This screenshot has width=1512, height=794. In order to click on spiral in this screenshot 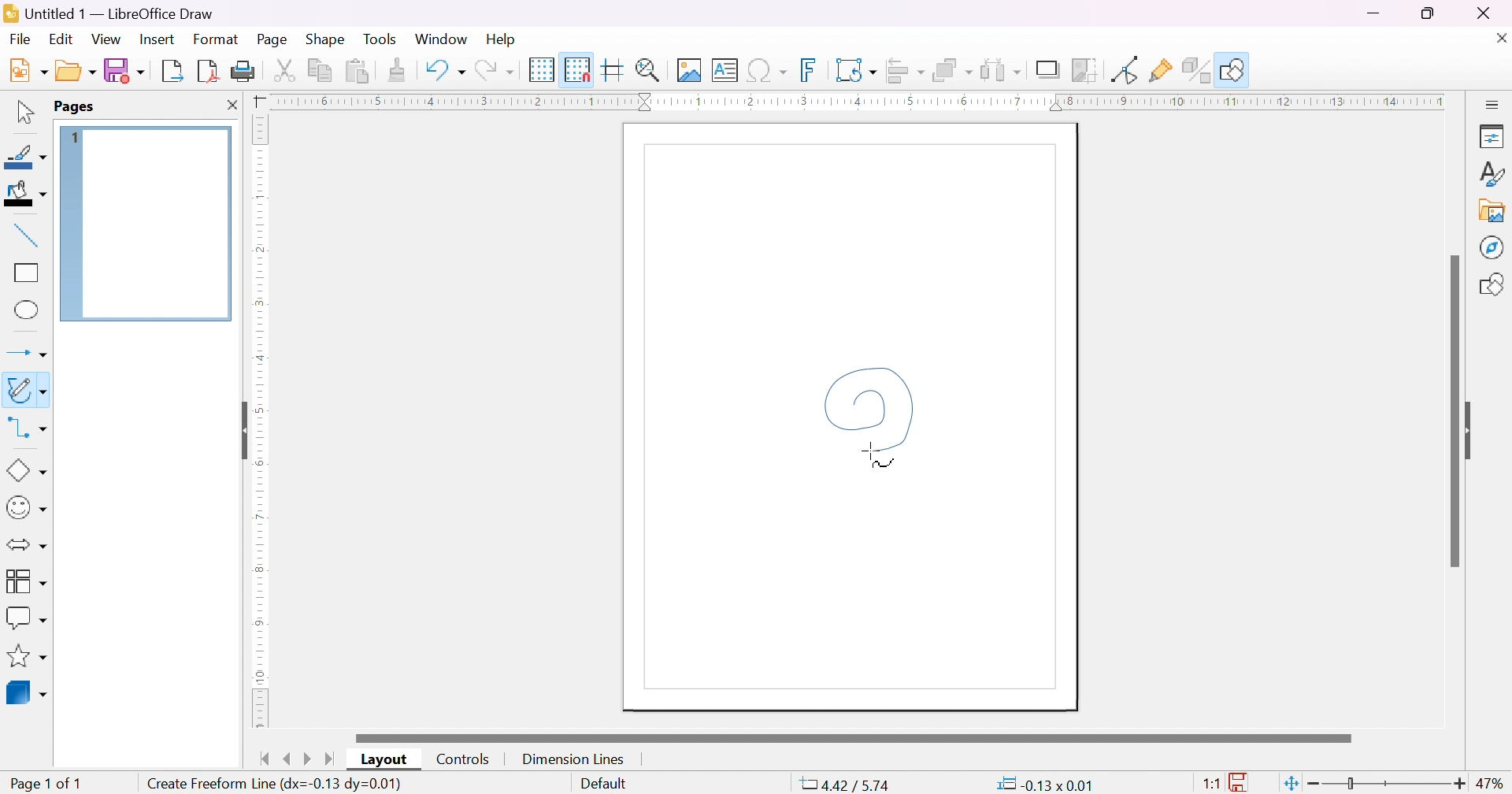, I will do `click(870, 415)`.